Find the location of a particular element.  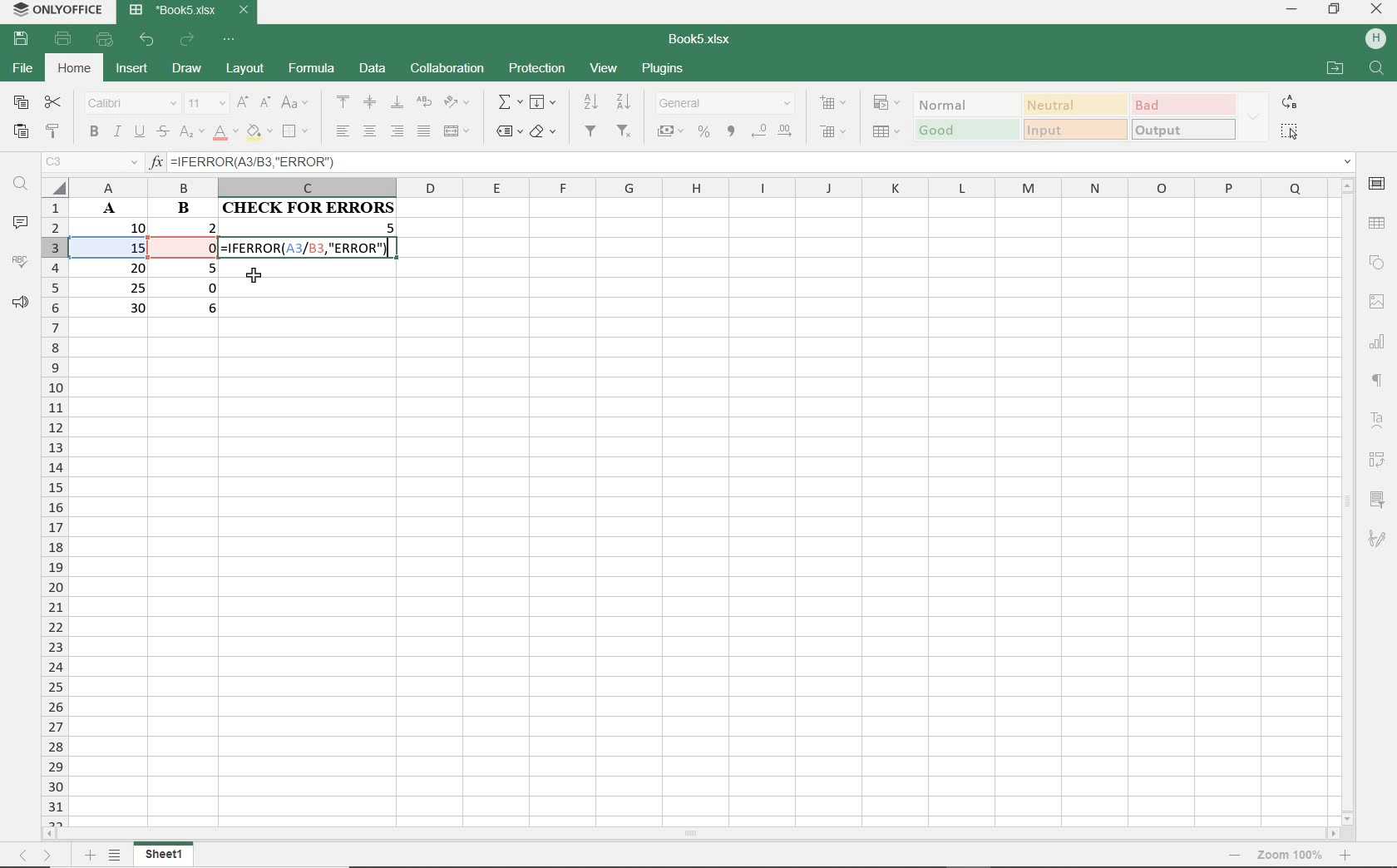

COMMA STYLE is located at coordinates (733, 133).